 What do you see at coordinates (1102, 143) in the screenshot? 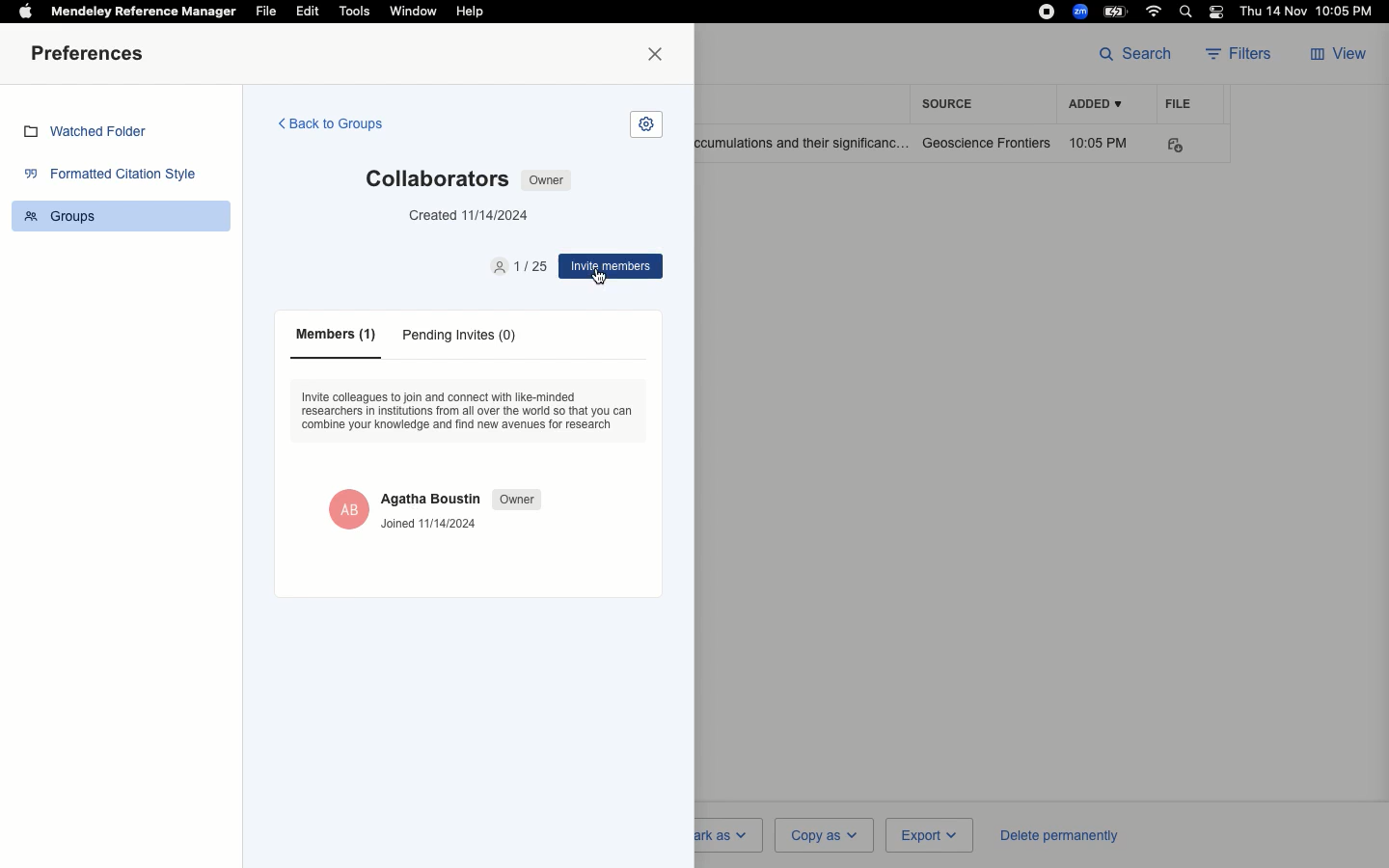
I see `10:05 PM` at bounding box center [1102, 143].